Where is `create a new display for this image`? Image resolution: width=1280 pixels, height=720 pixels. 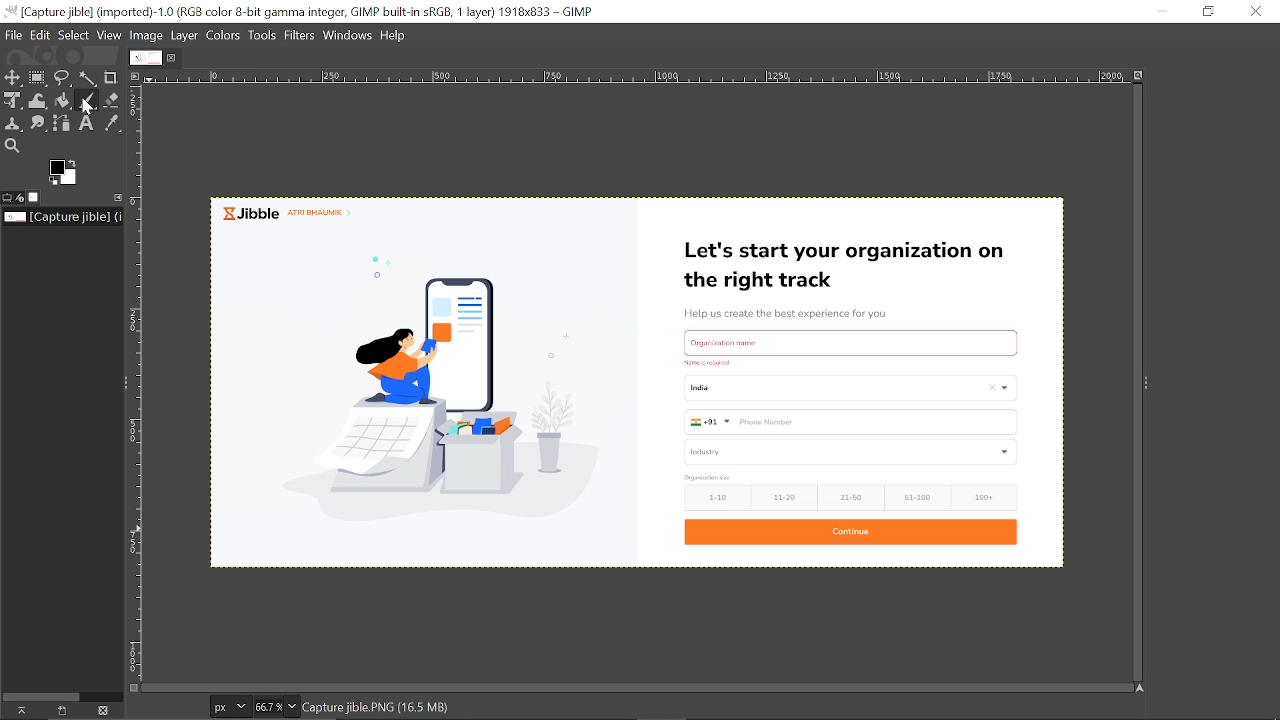
create a new display for this image is located at coordinates (59, 710).